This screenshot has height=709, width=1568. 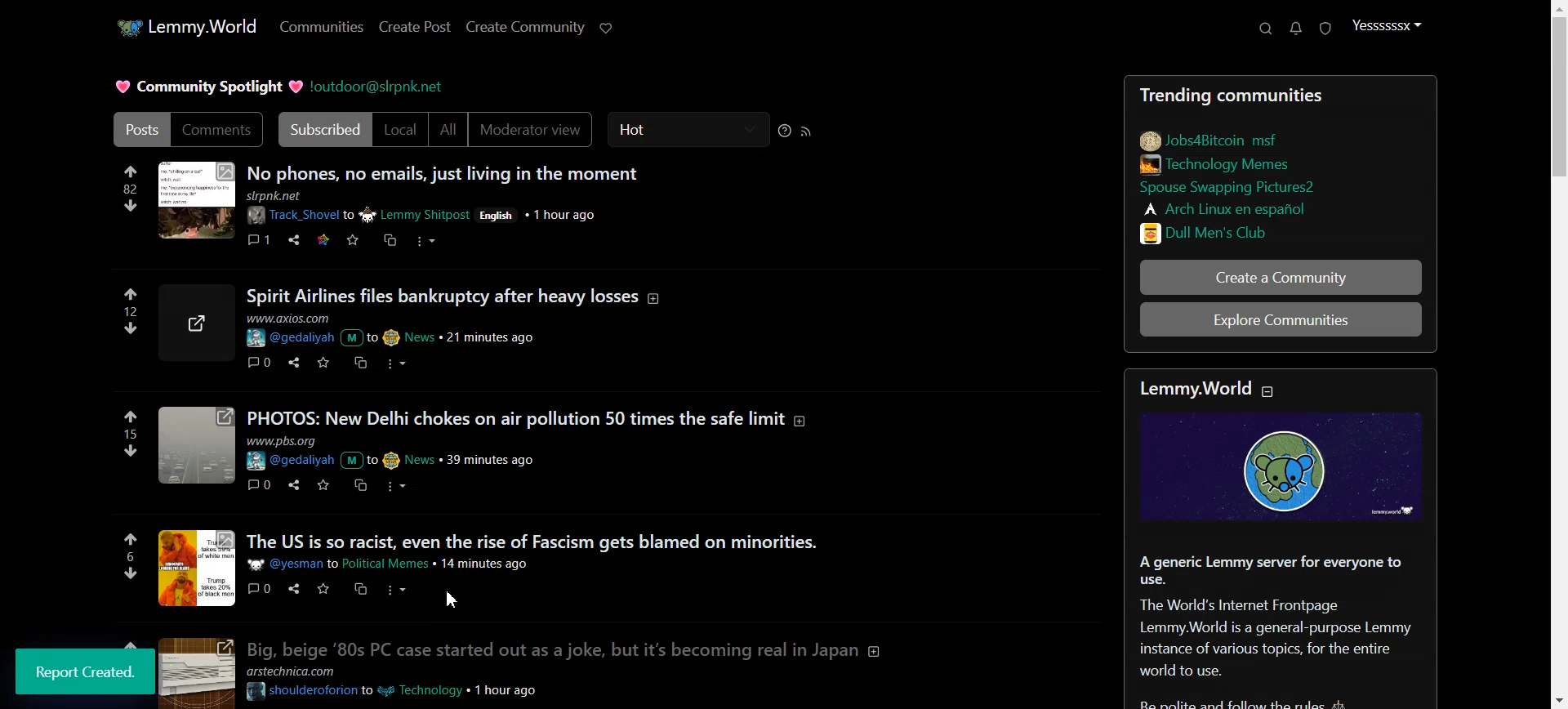 What do you see at coordinates (195, 202) in the screenshot?
I see `image` at bounding box center [195, 202].